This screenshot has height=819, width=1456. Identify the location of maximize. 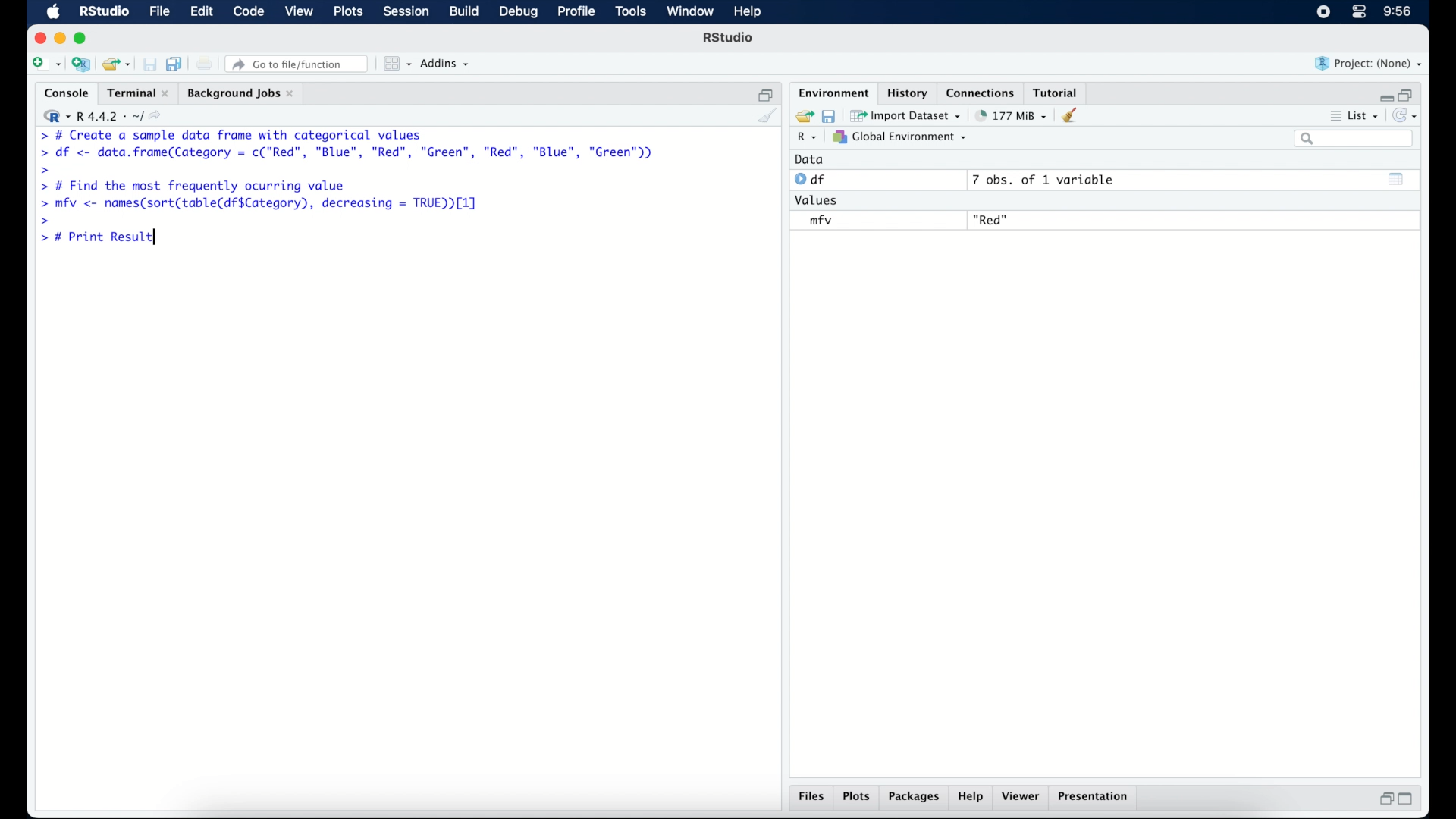
(83, 39).